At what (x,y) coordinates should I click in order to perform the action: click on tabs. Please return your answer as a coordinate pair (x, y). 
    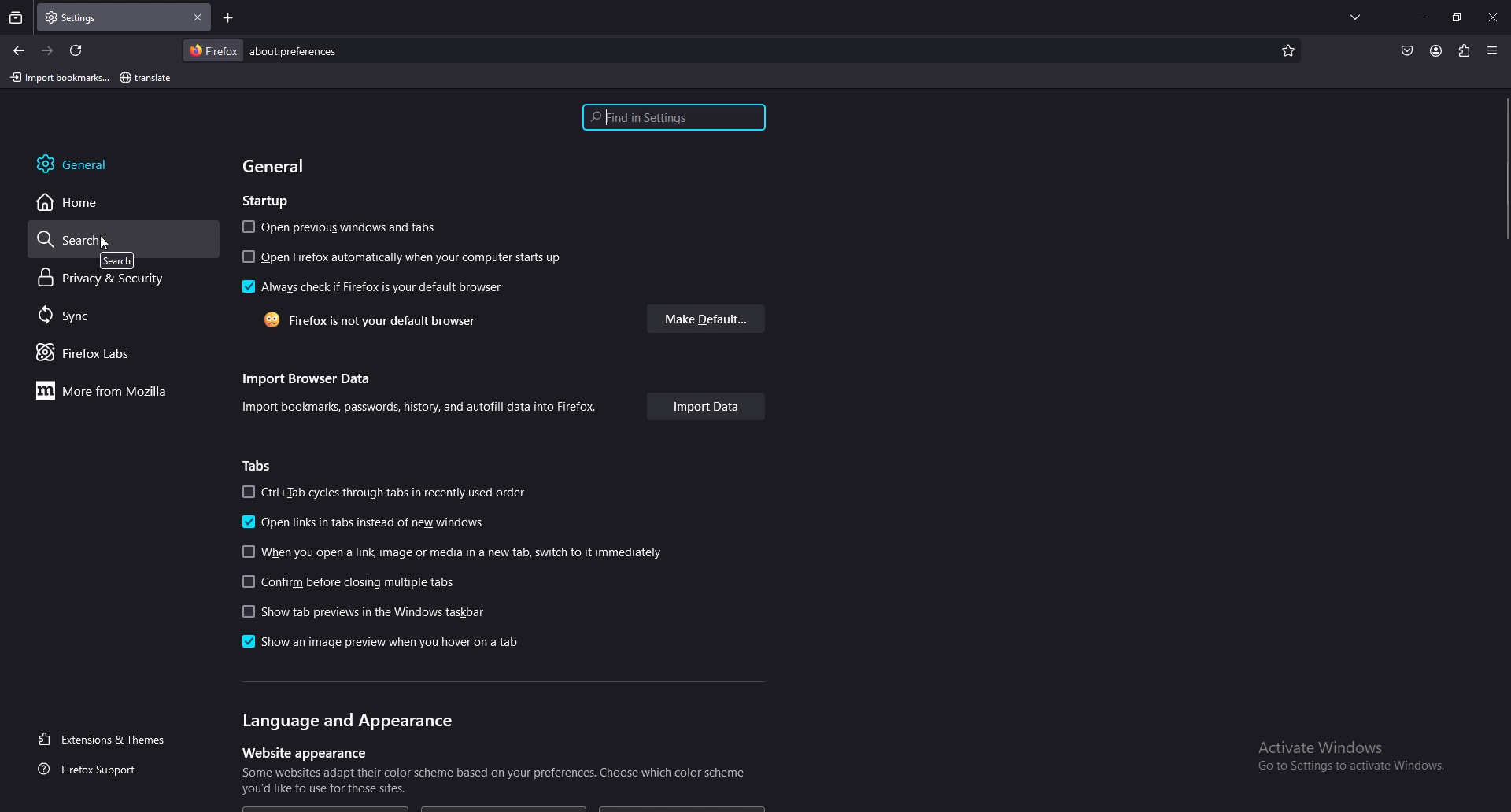
    Looking at the image, I should click on (257, 466).